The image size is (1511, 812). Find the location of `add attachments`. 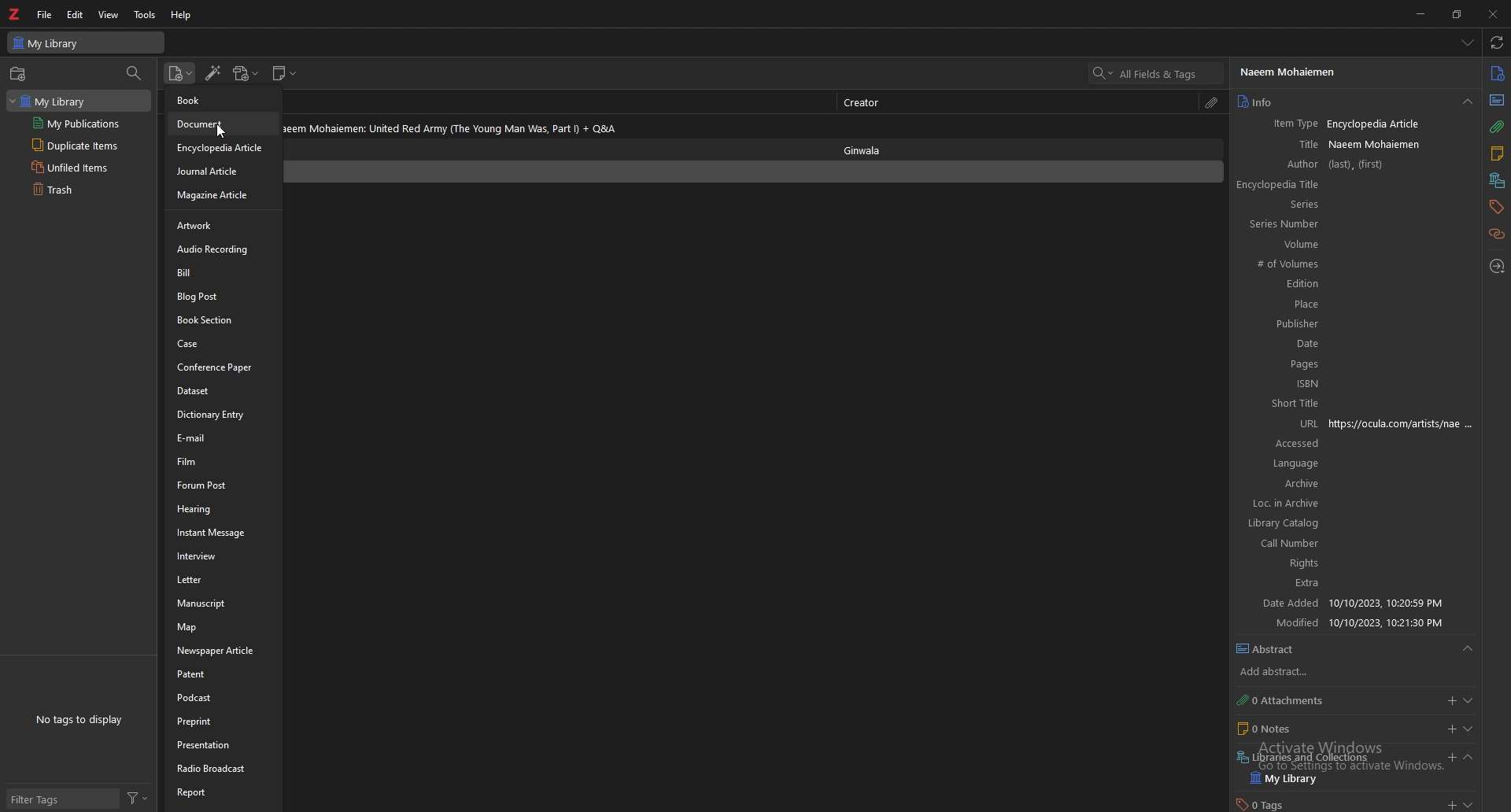

add attachments is located at coordinates (1452, 700).